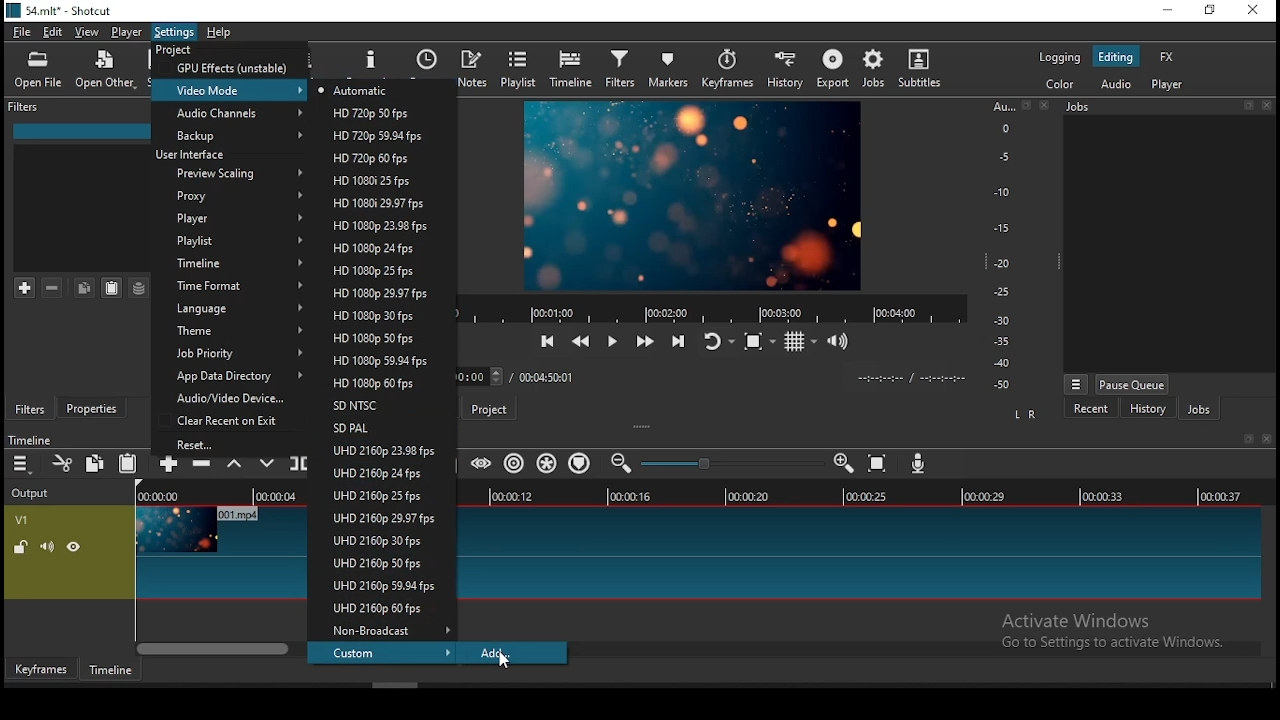 Image resolution: width=1280 pixels, height=720 pixels. Describe the element at coordinates (832, 68) in the screenshot. I see `export` at that location.